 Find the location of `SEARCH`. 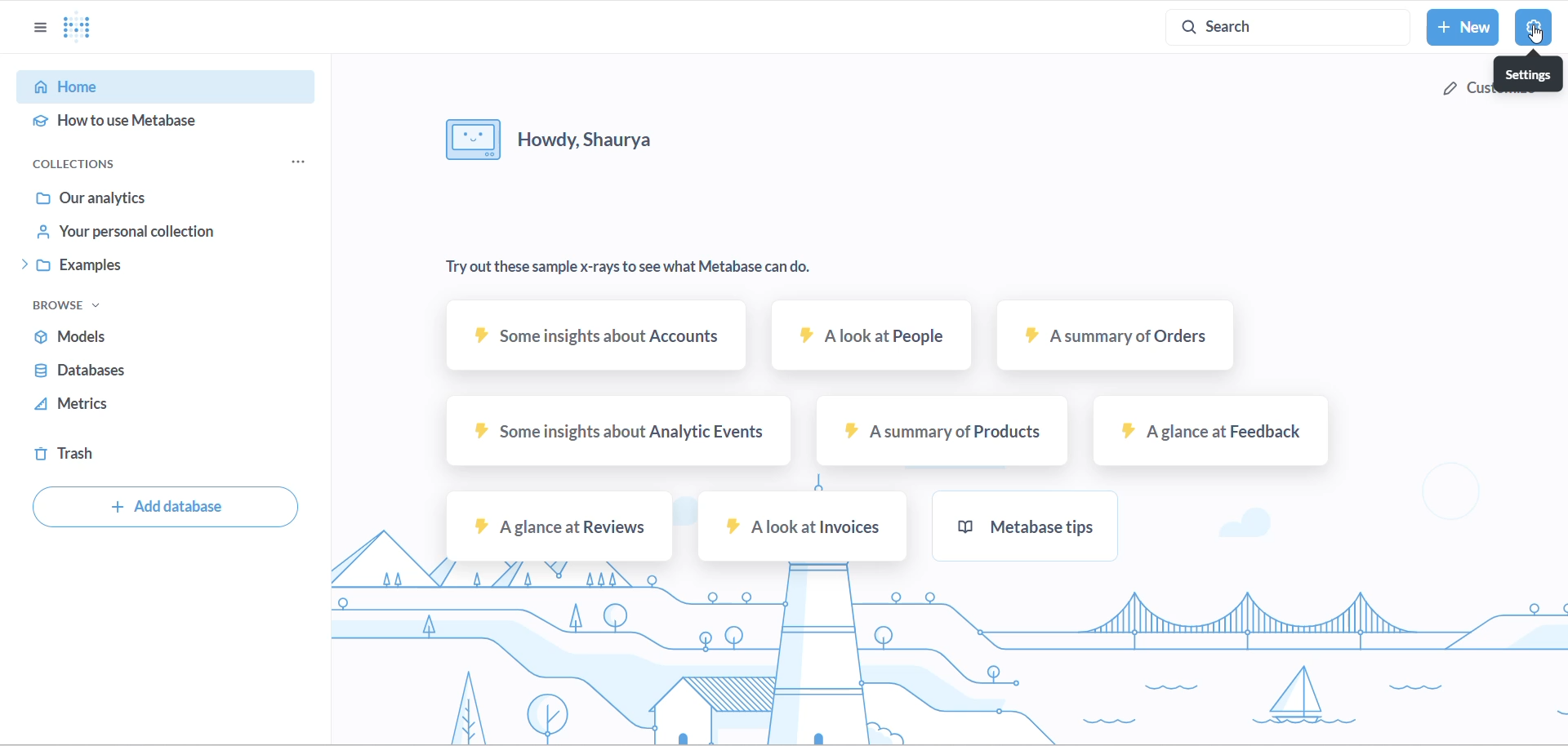

SEARCH is located at coordinates (1281, 27).